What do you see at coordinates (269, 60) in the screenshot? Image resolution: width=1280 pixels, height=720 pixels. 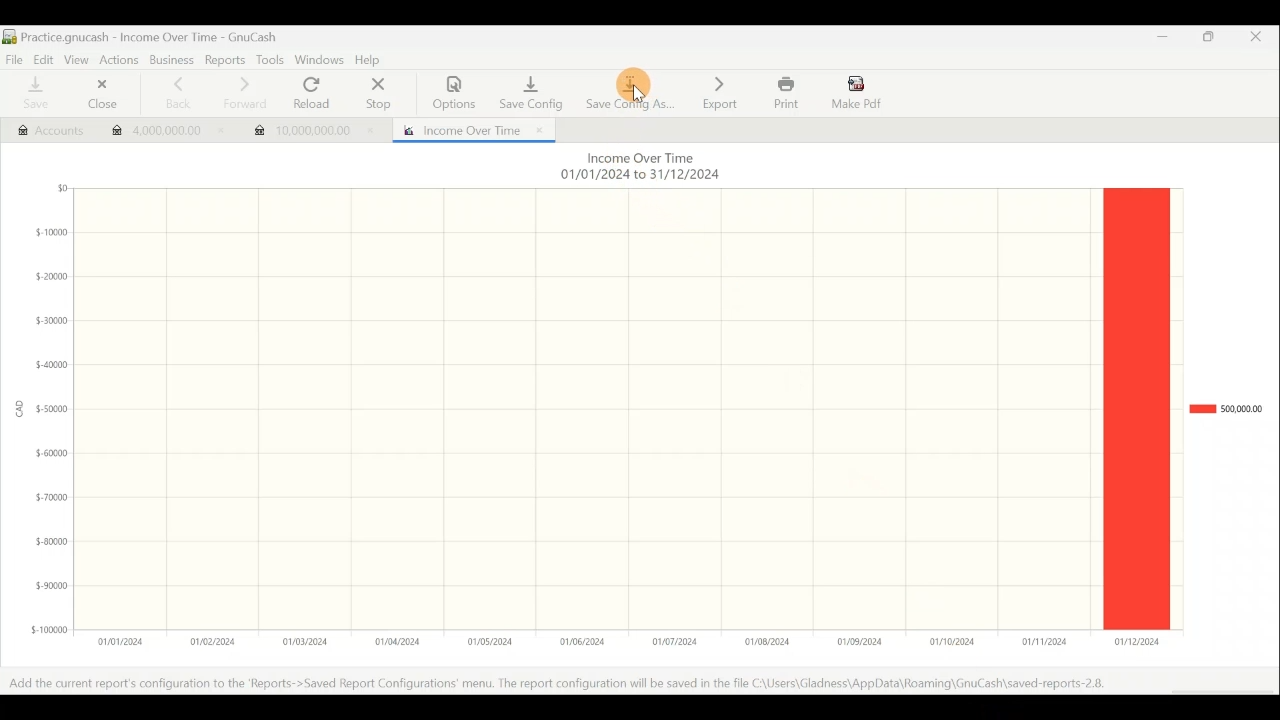 I see `Tools` at bounding box center [269, 60].